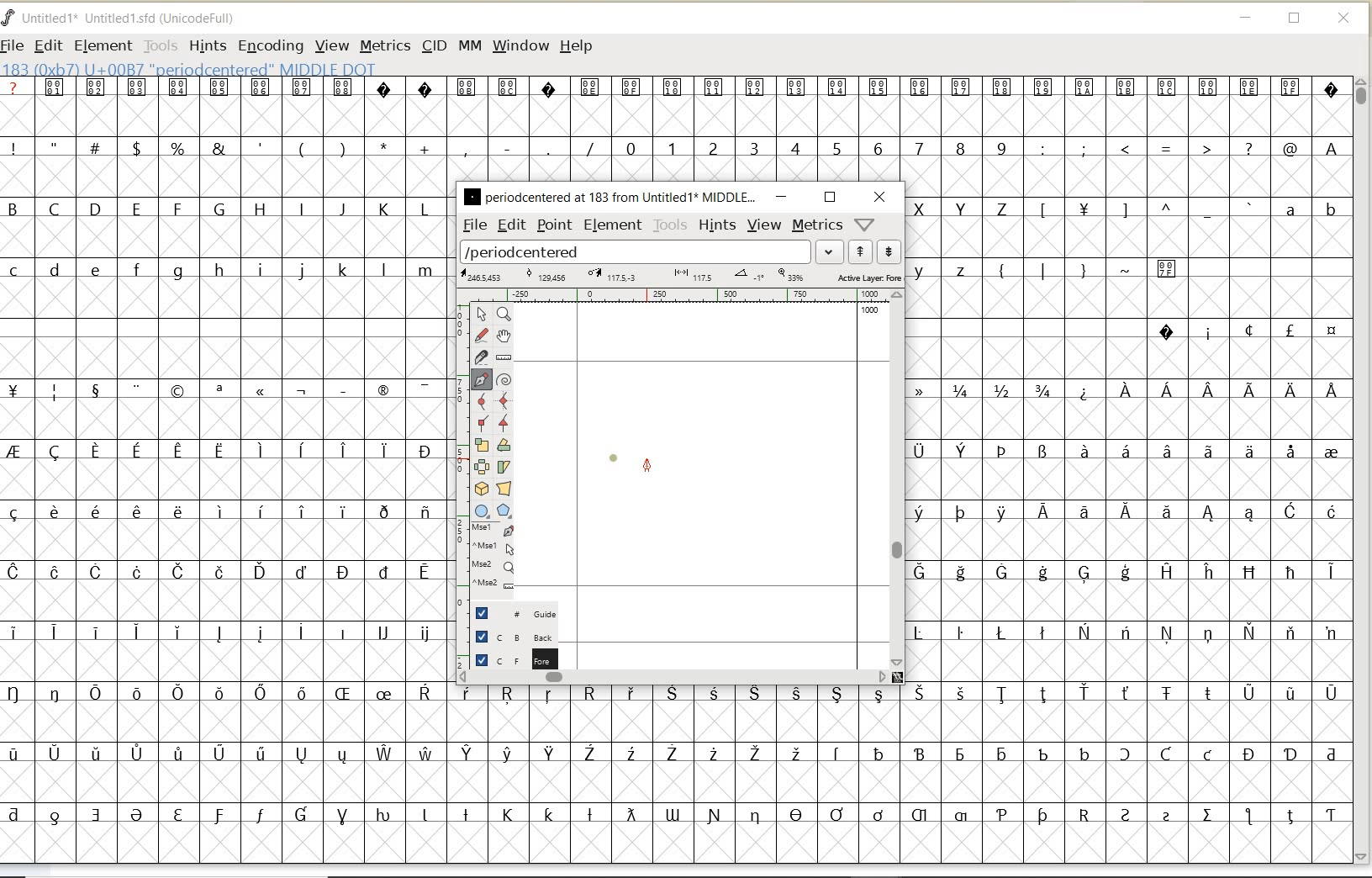 The width and height of the screenshot is (1372, 878). Describe the element at coordinates (300, 147) in the screenshot. I see `special characters` at that location.